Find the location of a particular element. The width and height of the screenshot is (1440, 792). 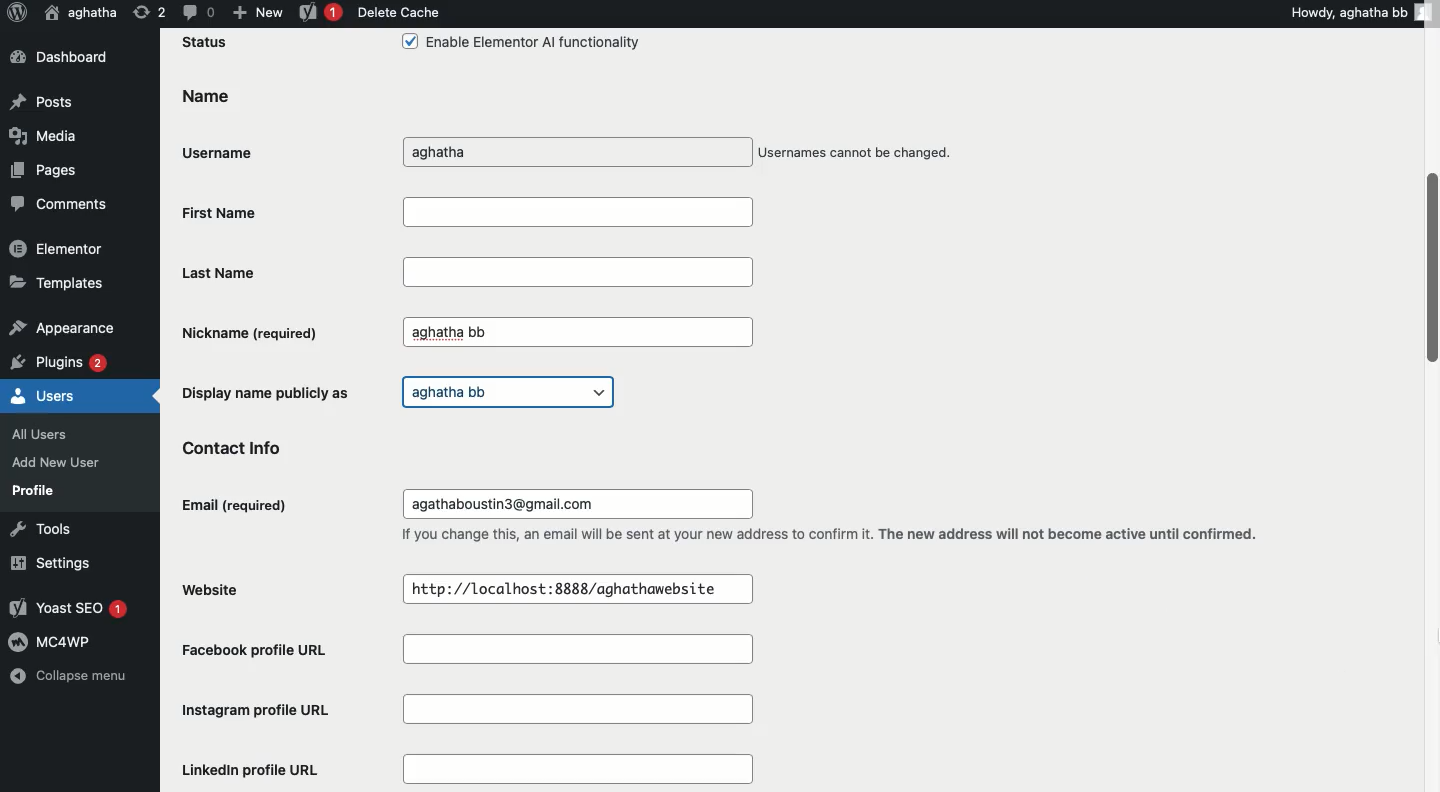

aghatha is located at coordinates (472, 152).